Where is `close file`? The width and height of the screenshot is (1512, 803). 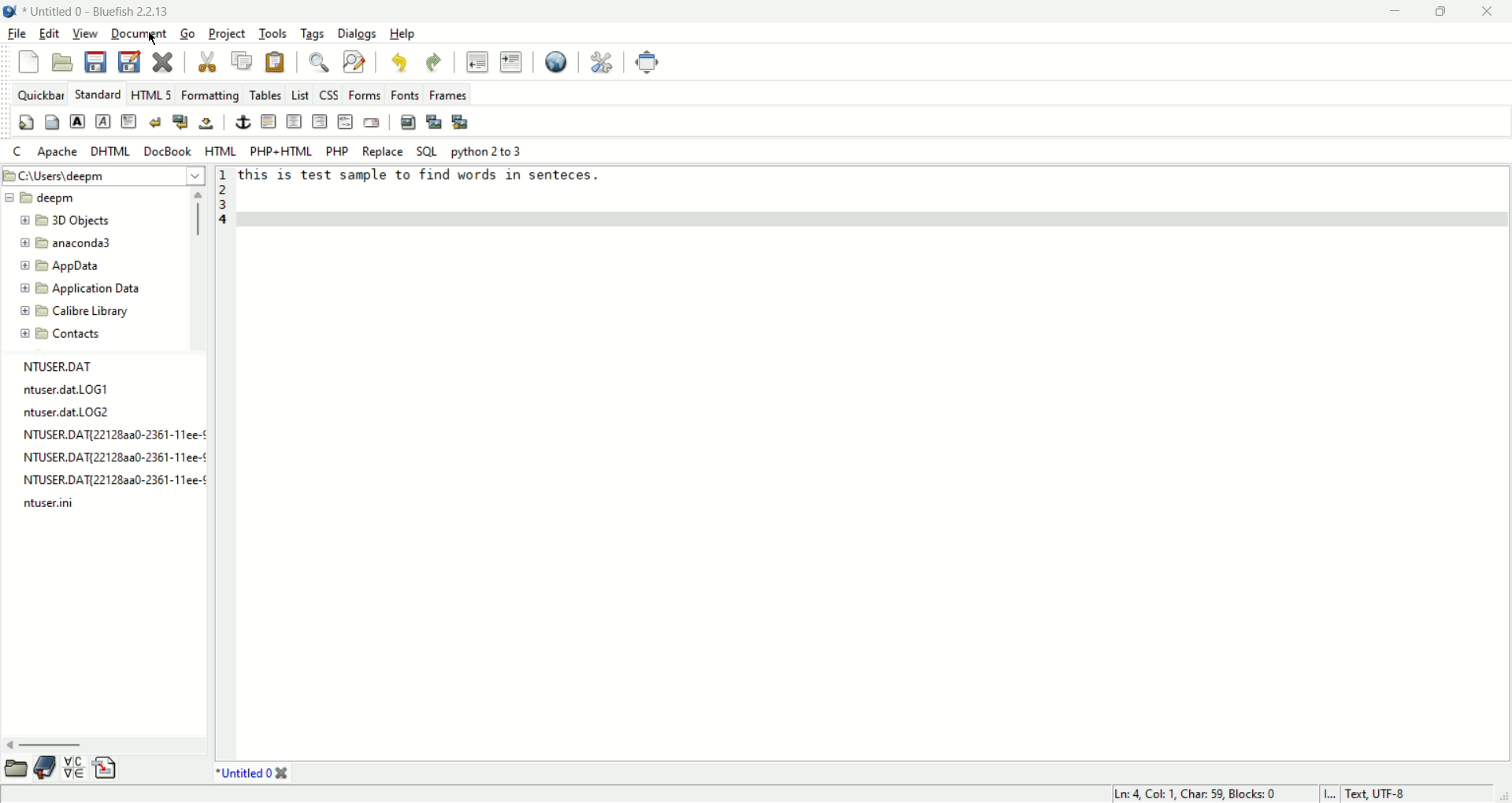
close file is located at coordinates (162, 61).